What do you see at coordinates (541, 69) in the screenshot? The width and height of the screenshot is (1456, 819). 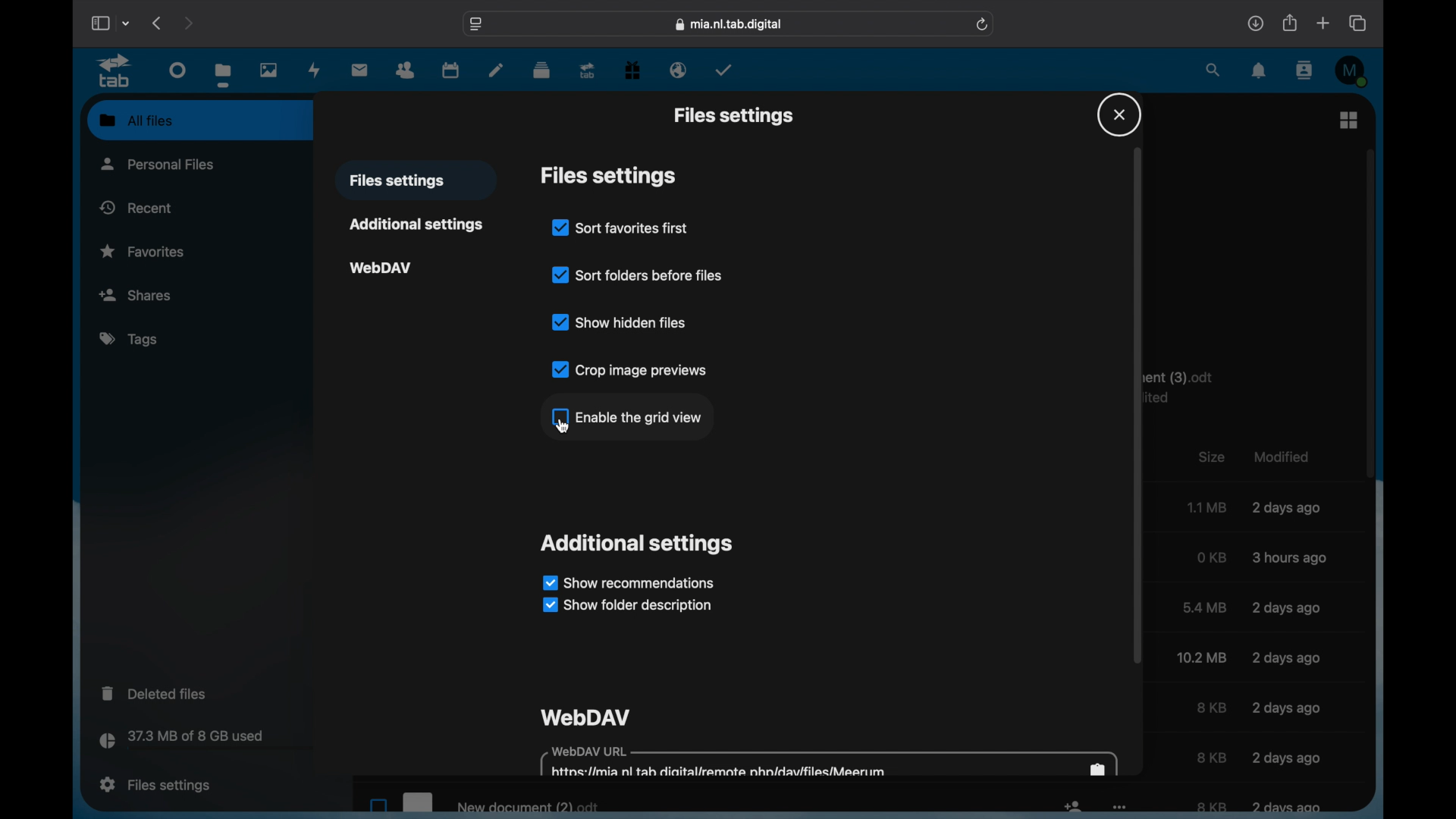 I see `deck` at bounding box center [541, 69].